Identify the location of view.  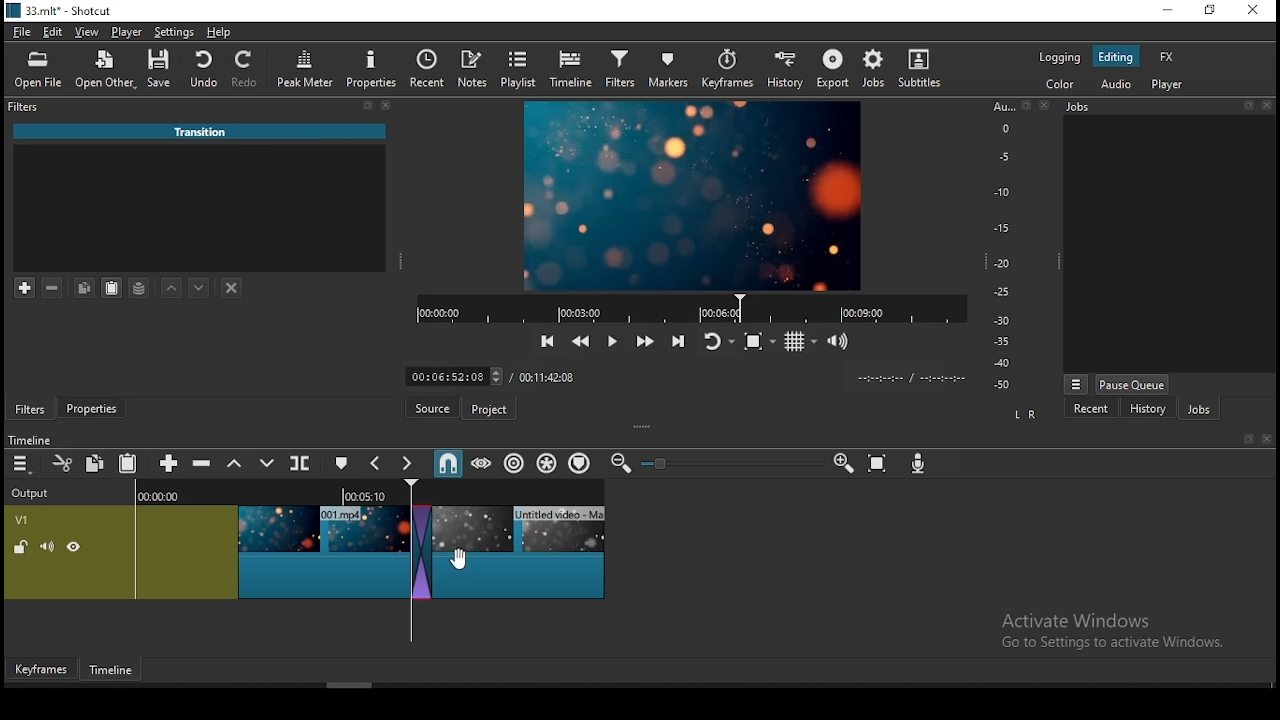
(88, 31).